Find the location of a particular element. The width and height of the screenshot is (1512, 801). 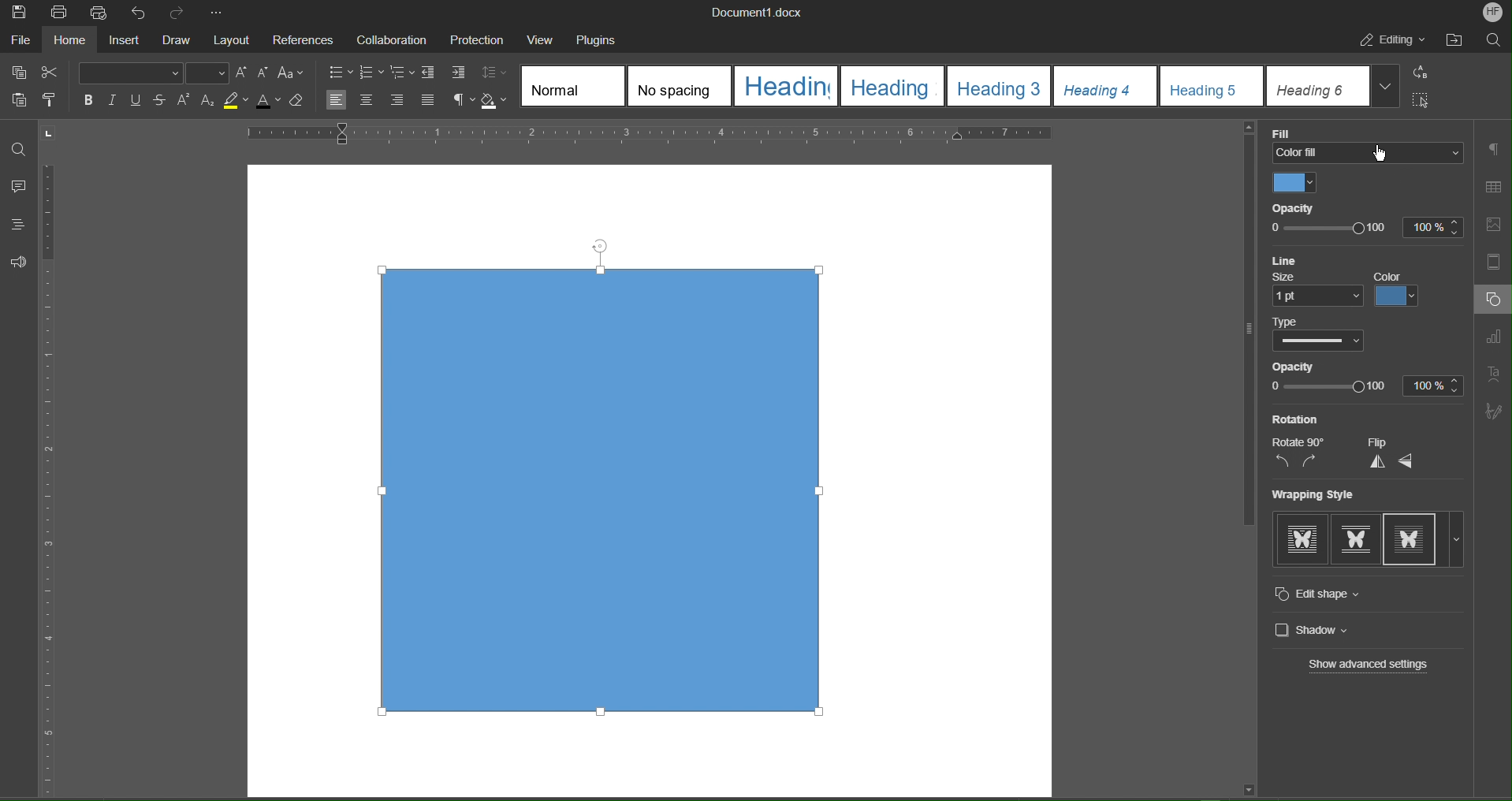

Heading 4 is located at coordinates (1103, 86).